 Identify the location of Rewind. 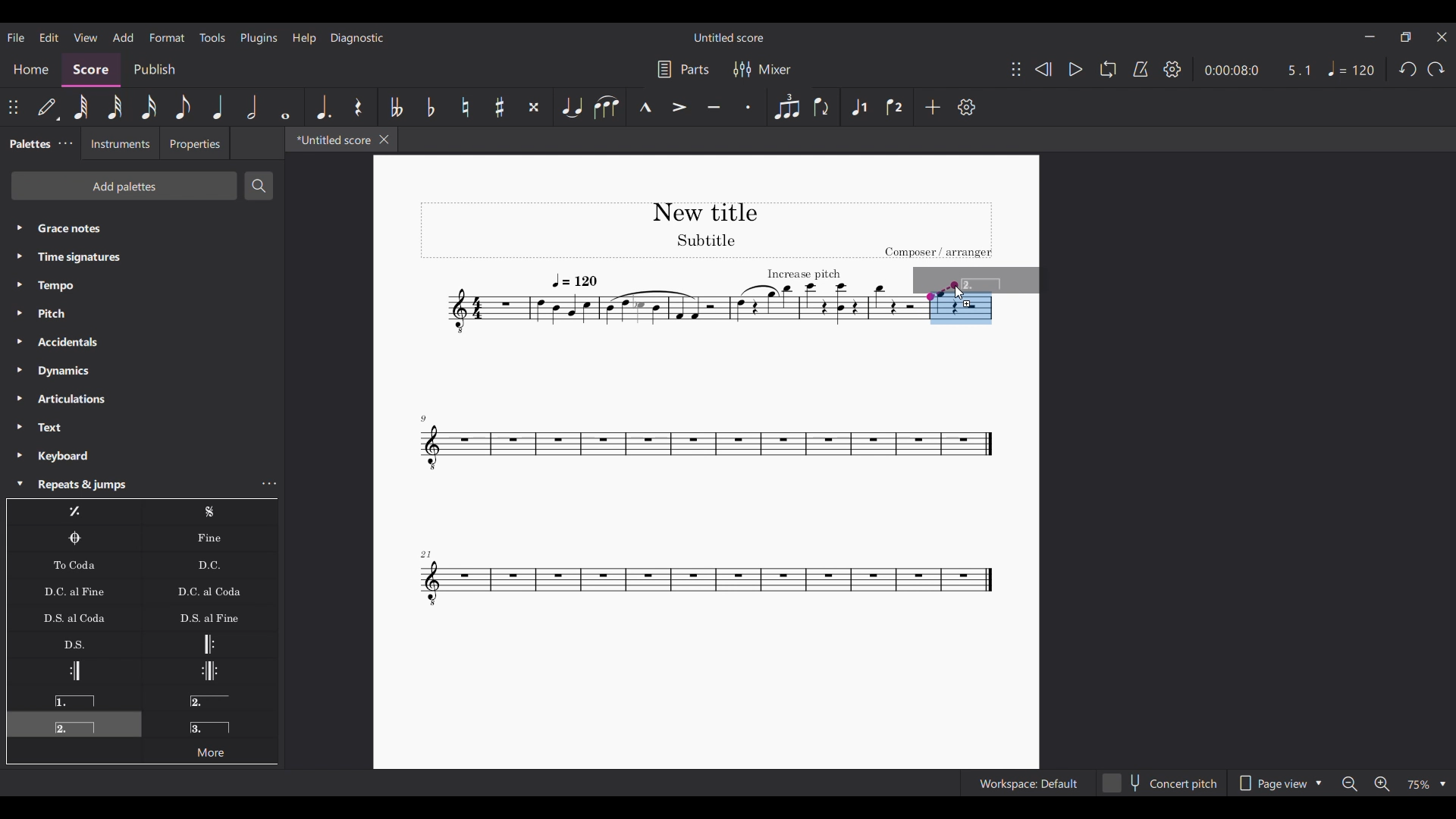
(1043, 70).